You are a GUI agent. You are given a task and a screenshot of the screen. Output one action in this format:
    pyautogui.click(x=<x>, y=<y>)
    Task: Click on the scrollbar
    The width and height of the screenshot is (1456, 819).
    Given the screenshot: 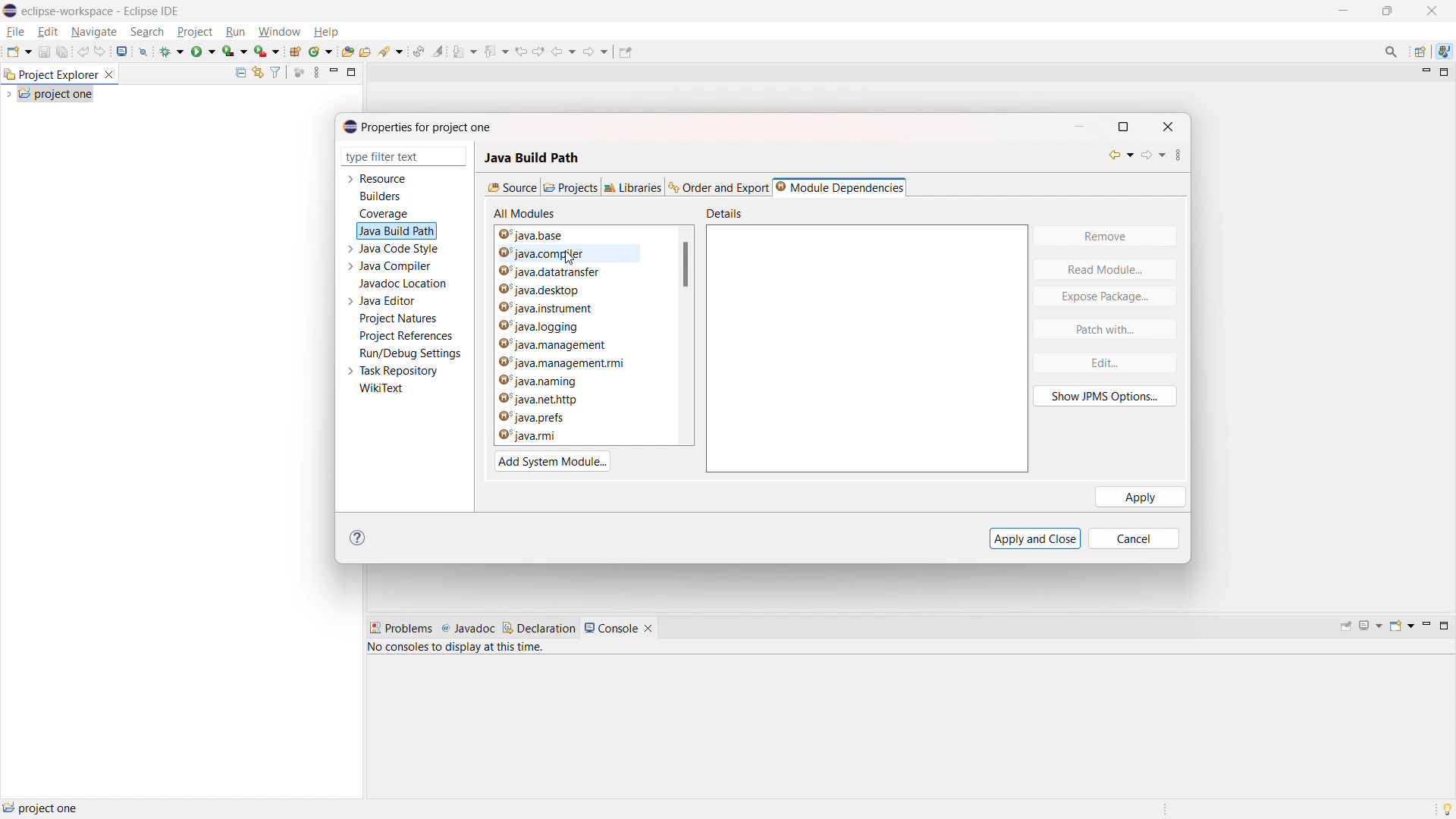 What is the action you would take?
    pyautogui.click(x=686, y=265)
    